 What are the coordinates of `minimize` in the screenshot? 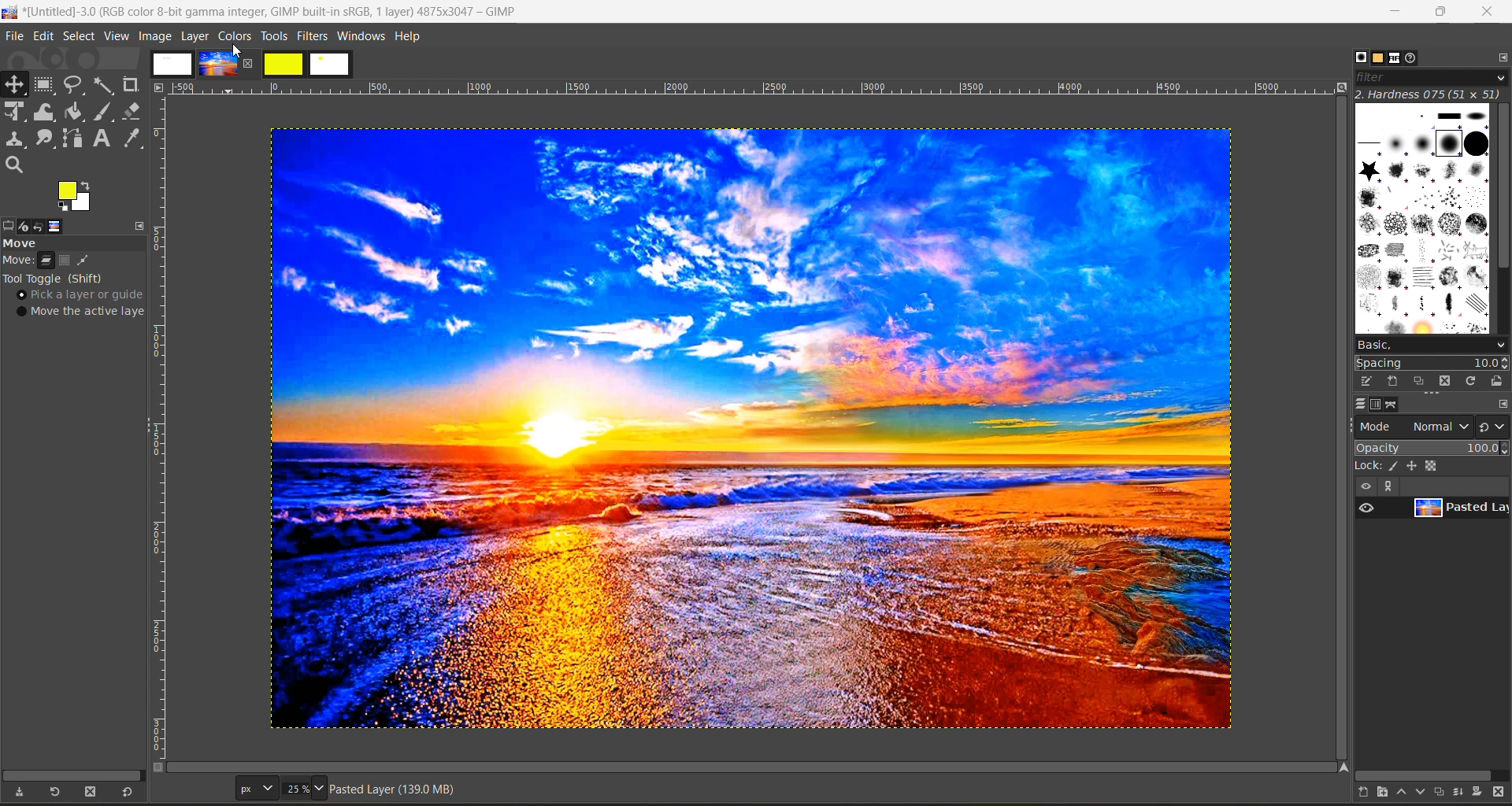 It's located at (1393, 12).